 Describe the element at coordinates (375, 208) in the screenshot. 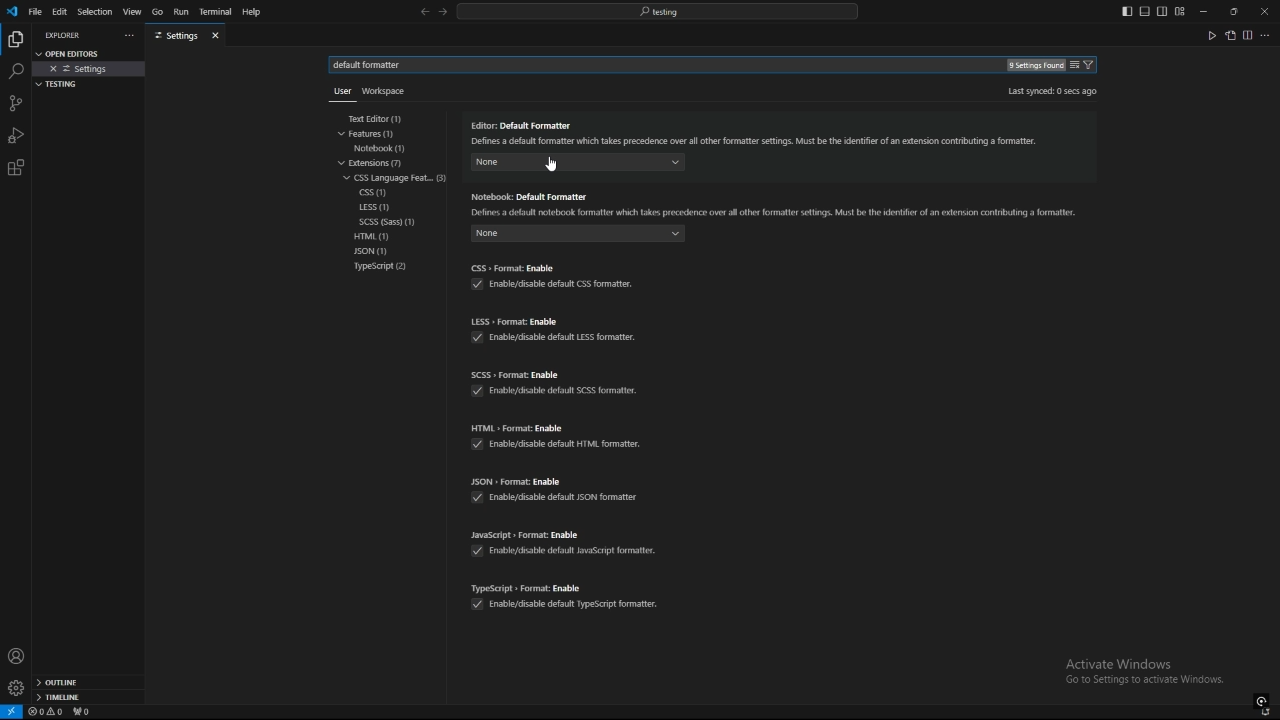

I see `less` at that location.